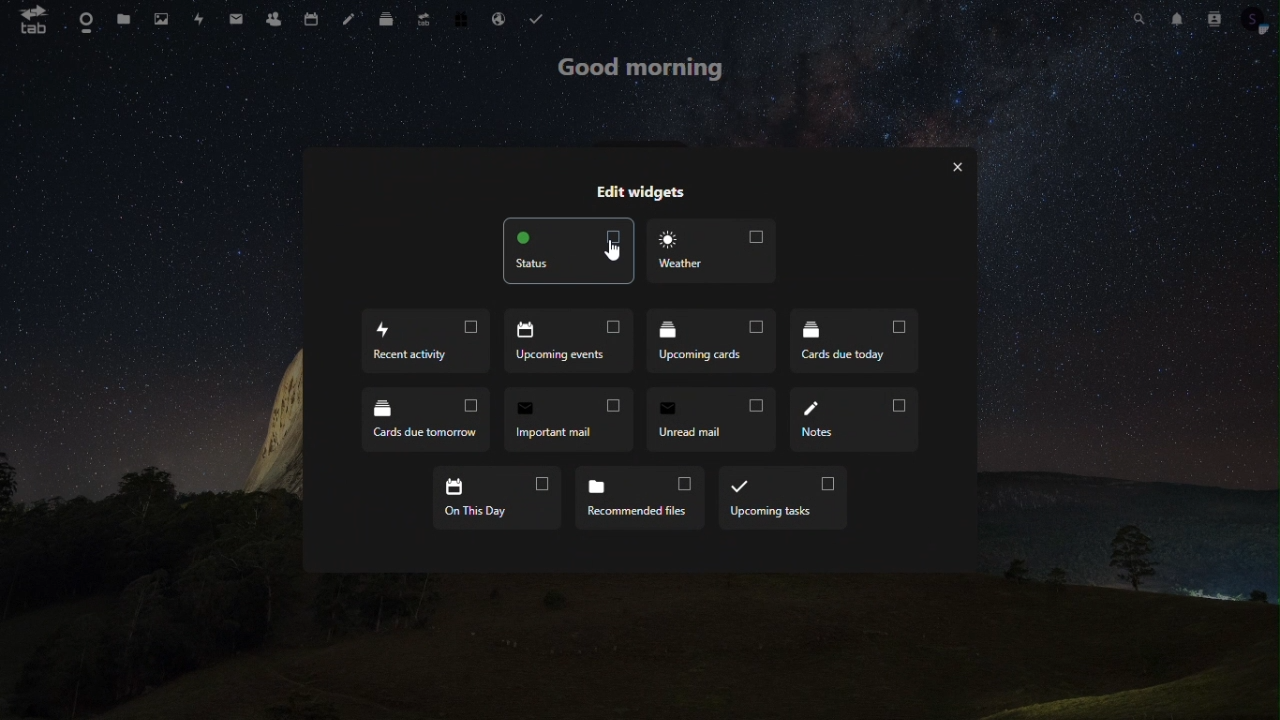  Describe the element at coordinates (200, 21) in the screenshot. I see `activity` at that location.